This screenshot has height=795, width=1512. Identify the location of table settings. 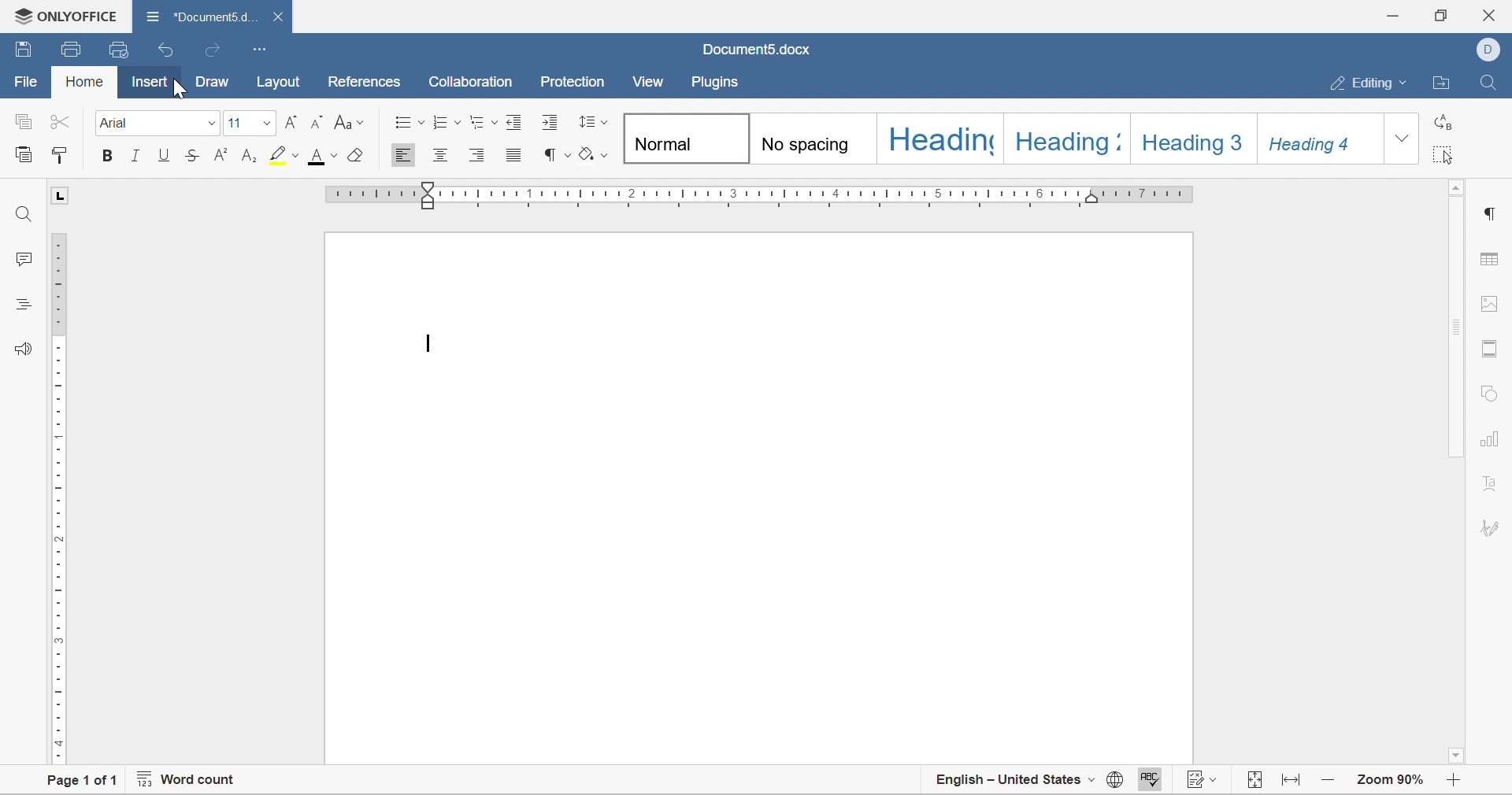
(1497, 259).